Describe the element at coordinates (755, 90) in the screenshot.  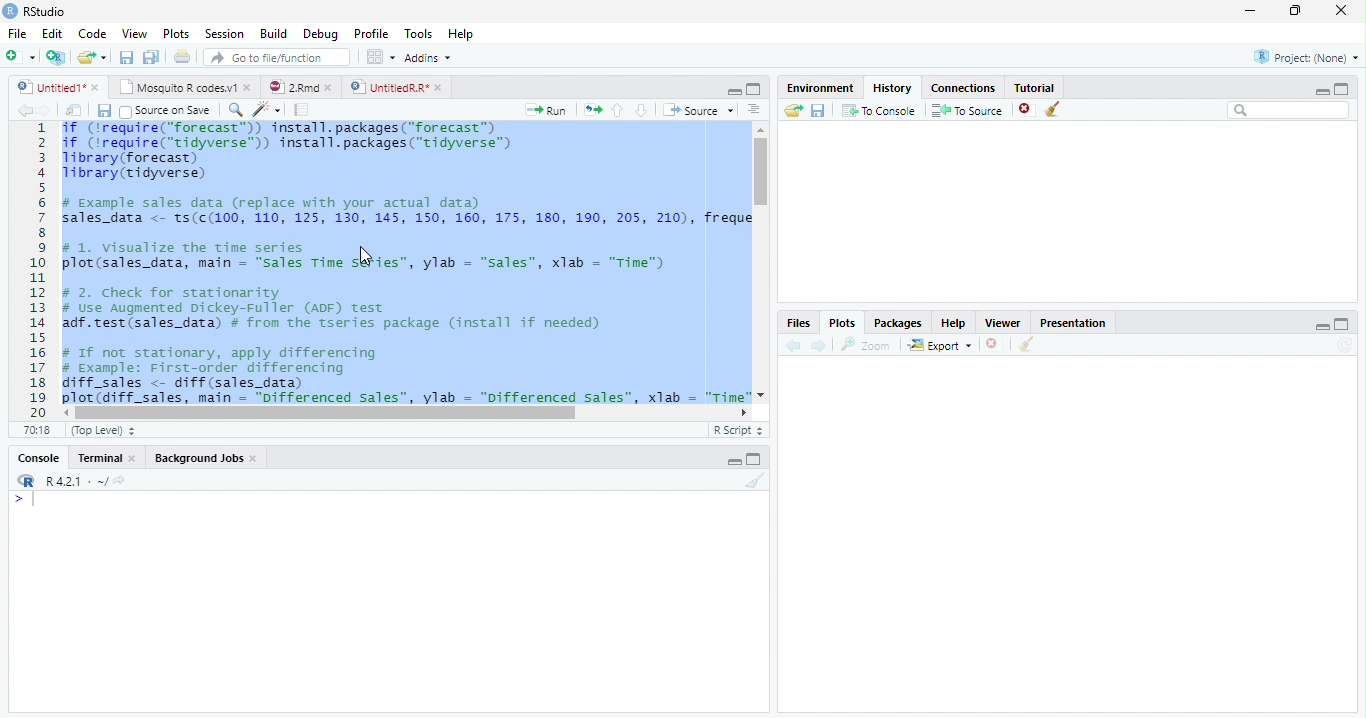
I see `Maximize` at that location.